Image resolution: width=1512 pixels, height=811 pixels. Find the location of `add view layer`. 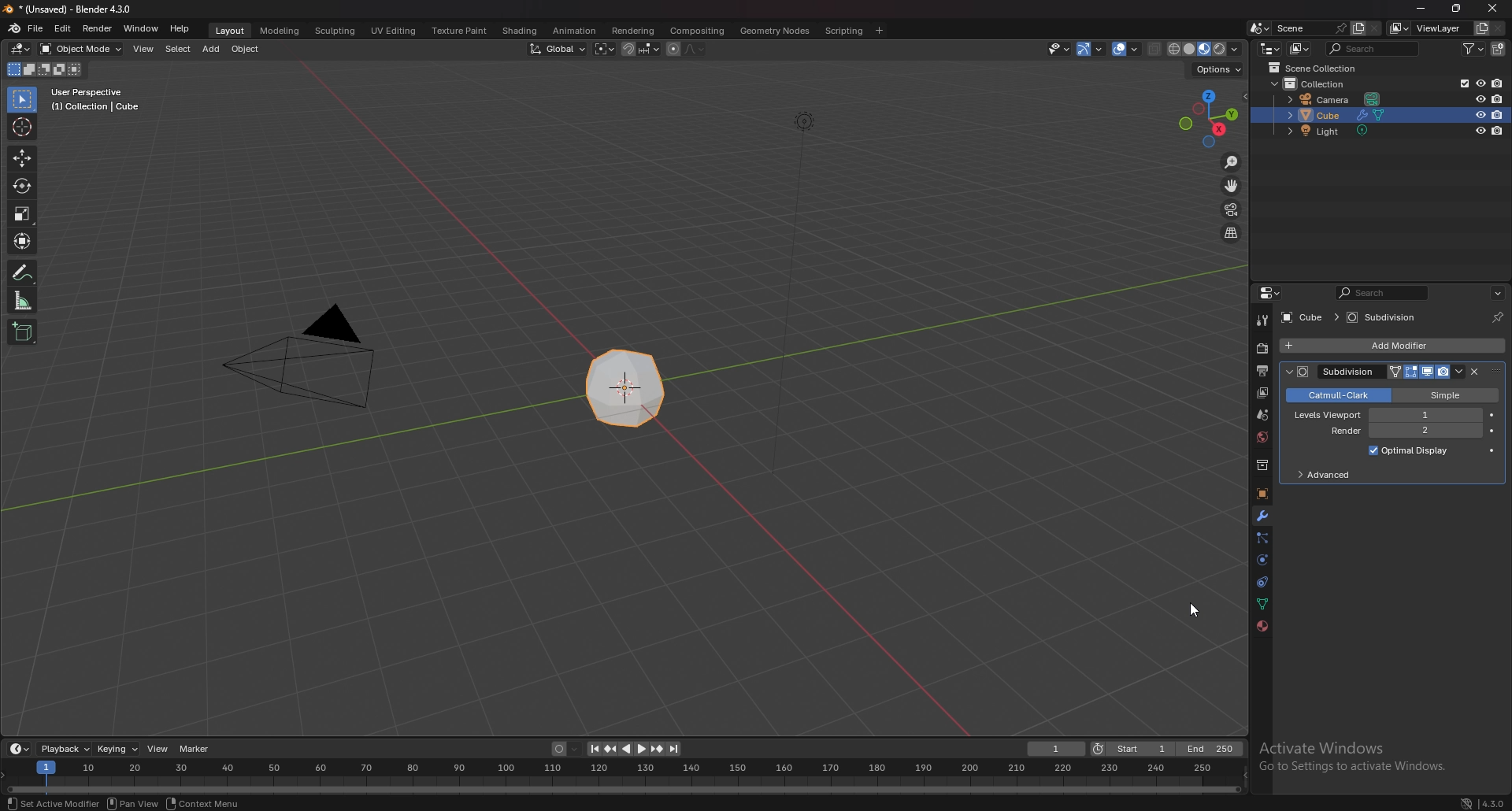

add view layer is located at coordinates (1480, 28).